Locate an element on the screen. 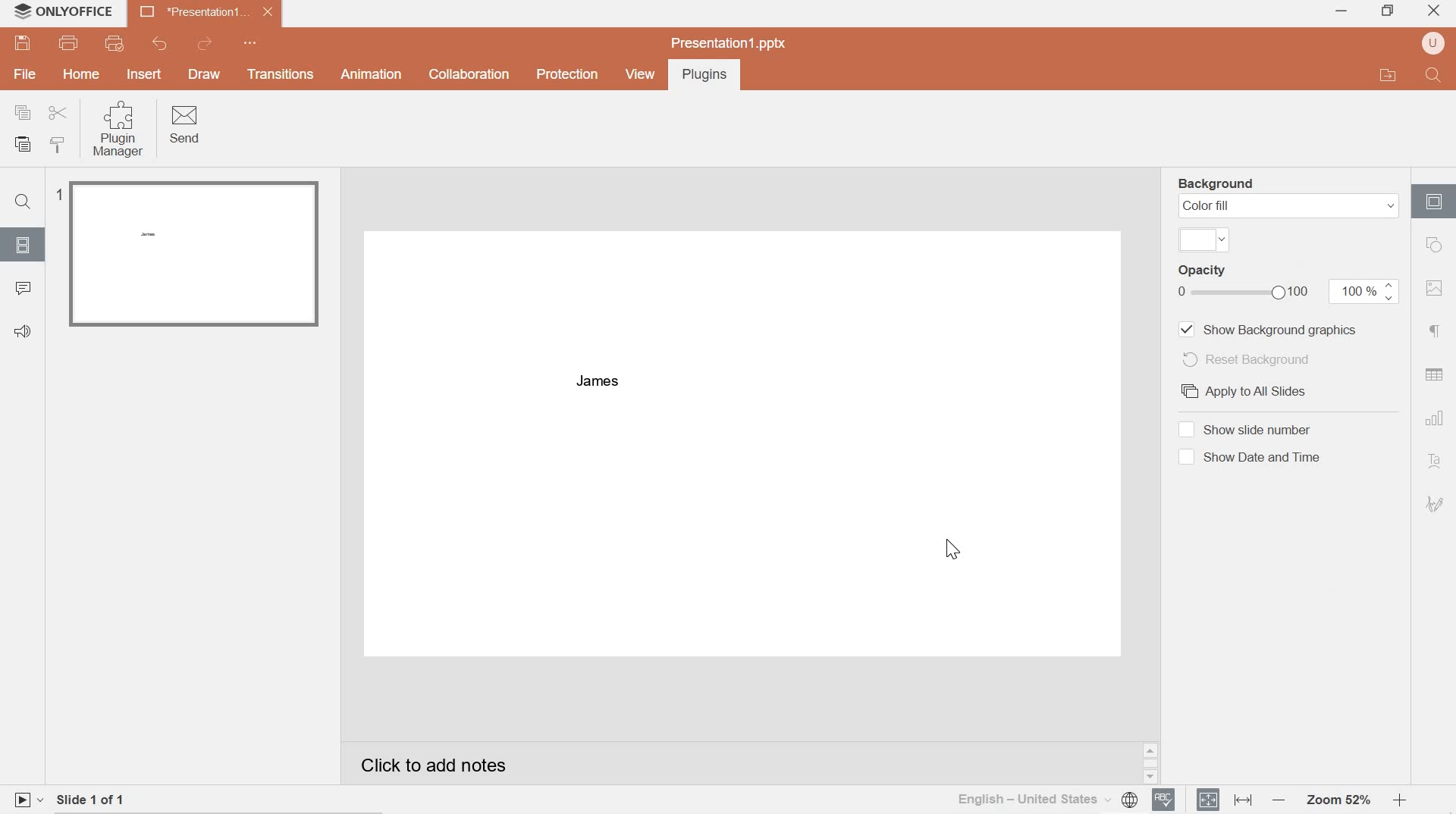 The width and height of the screenshot is (1456, 814). print is located at coordinates (71, 44).